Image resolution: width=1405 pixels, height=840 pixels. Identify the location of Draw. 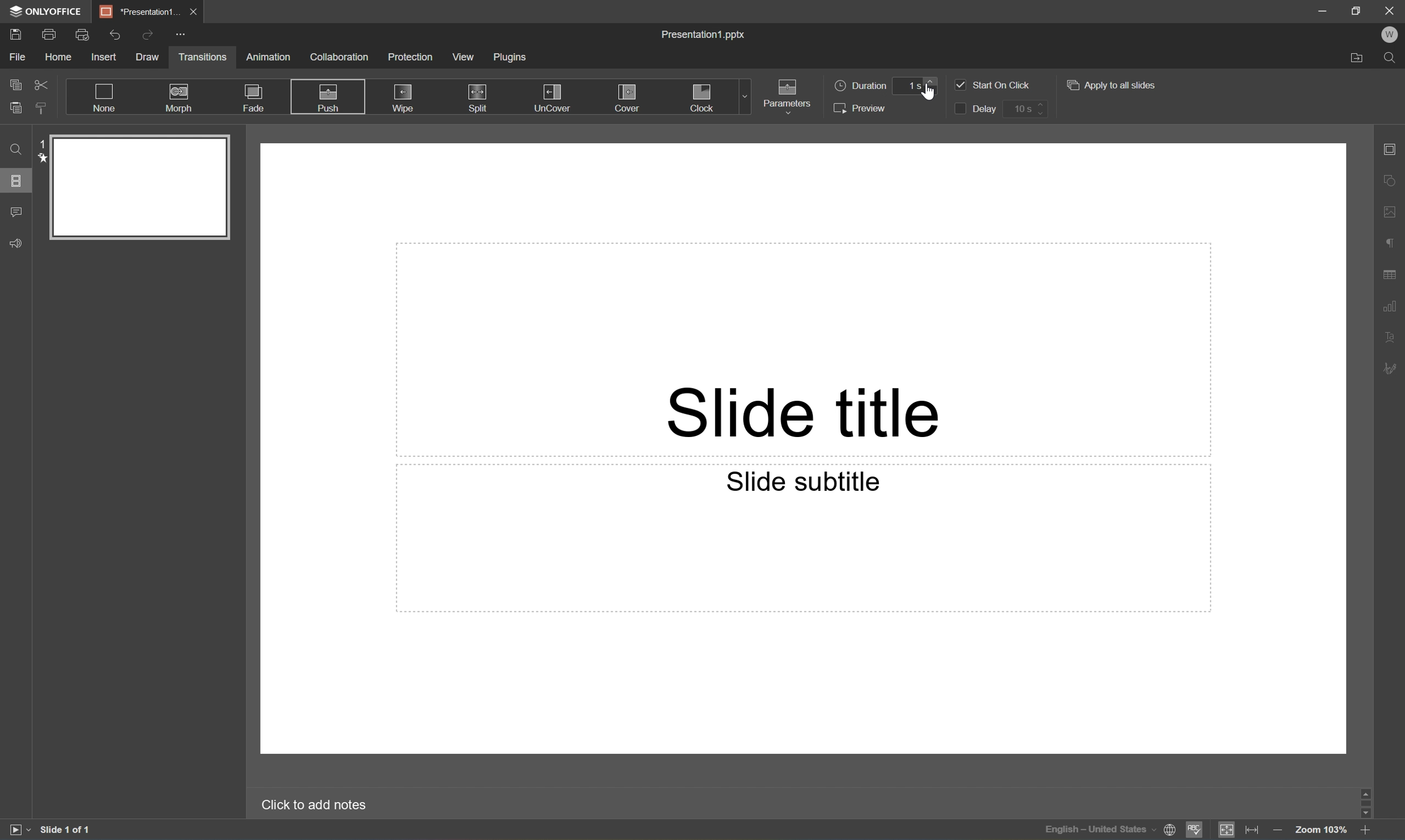
(151, 59).